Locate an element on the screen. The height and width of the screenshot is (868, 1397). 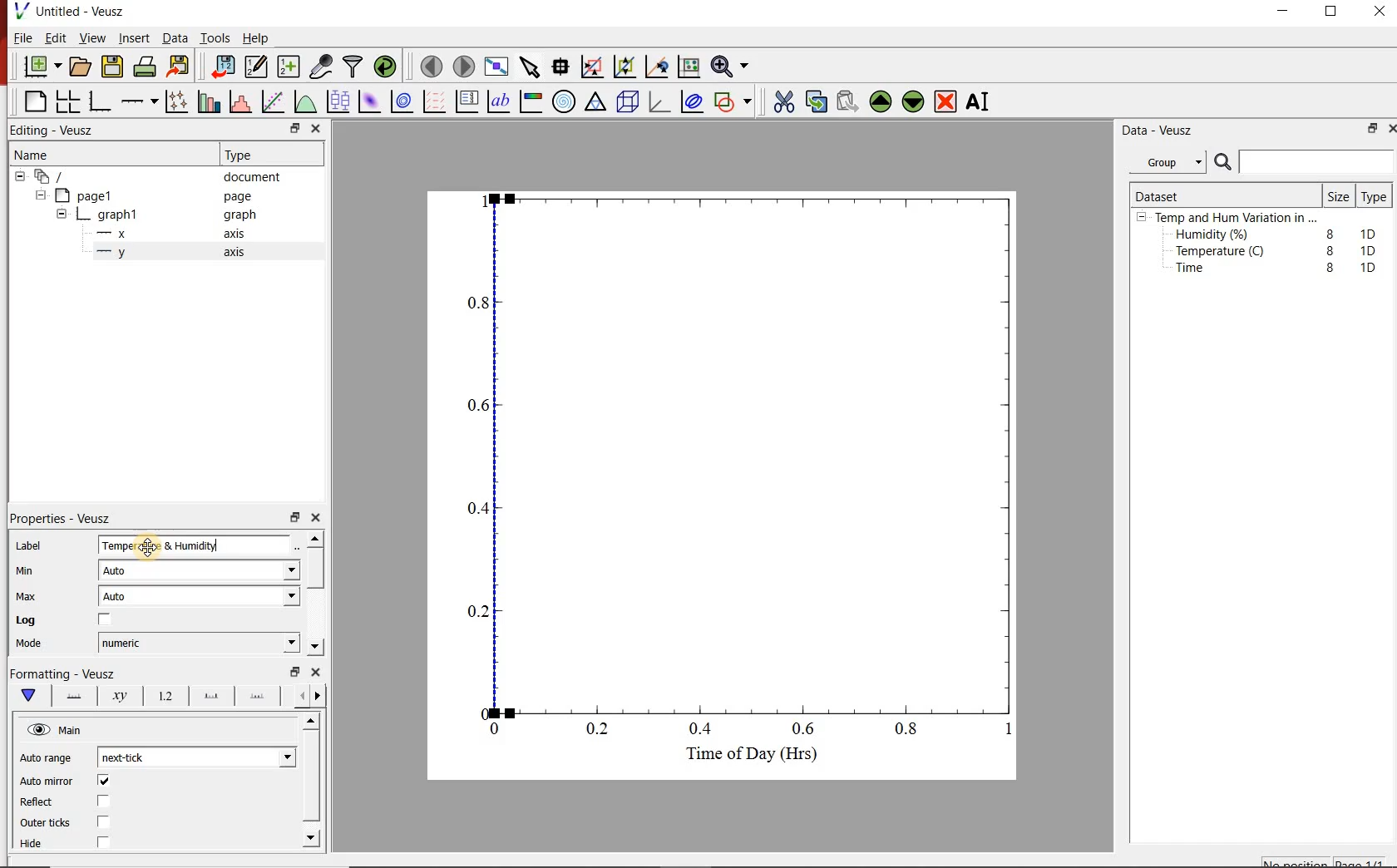
Auto is located at coordinates (124, 599).